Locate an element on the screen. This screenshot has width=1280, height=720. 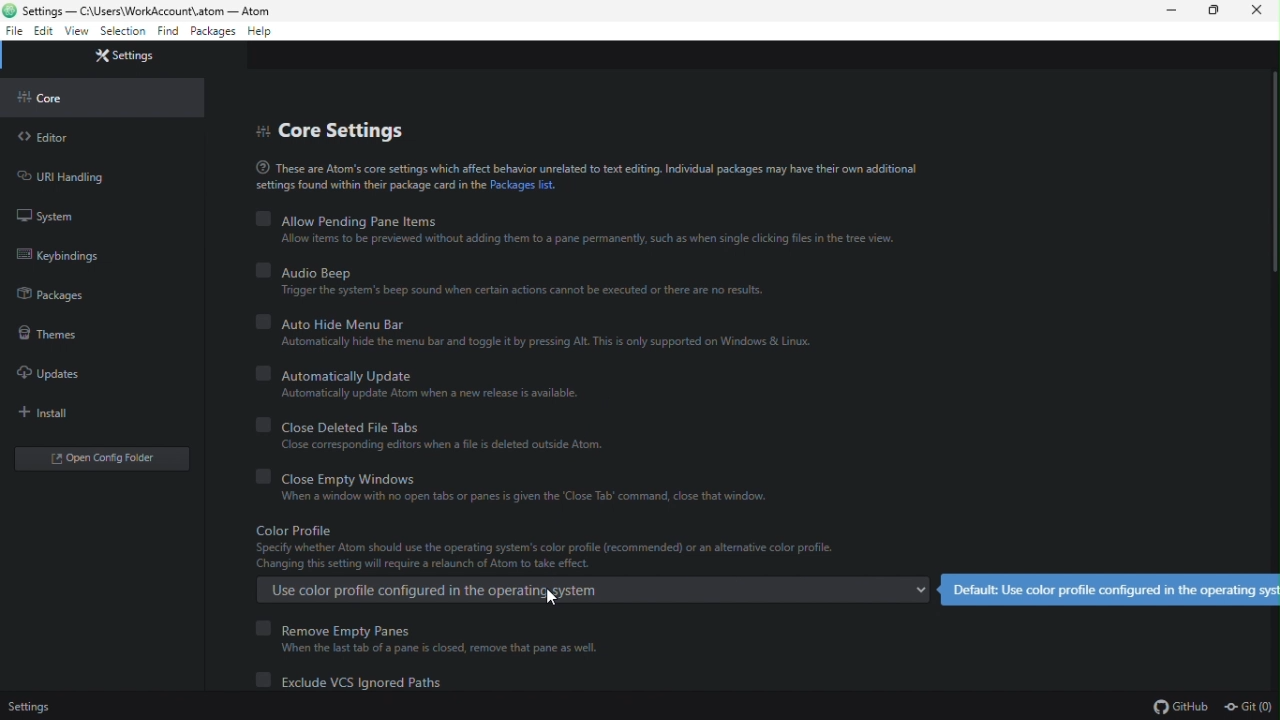
keybinding is located at coordinates (64, 256).